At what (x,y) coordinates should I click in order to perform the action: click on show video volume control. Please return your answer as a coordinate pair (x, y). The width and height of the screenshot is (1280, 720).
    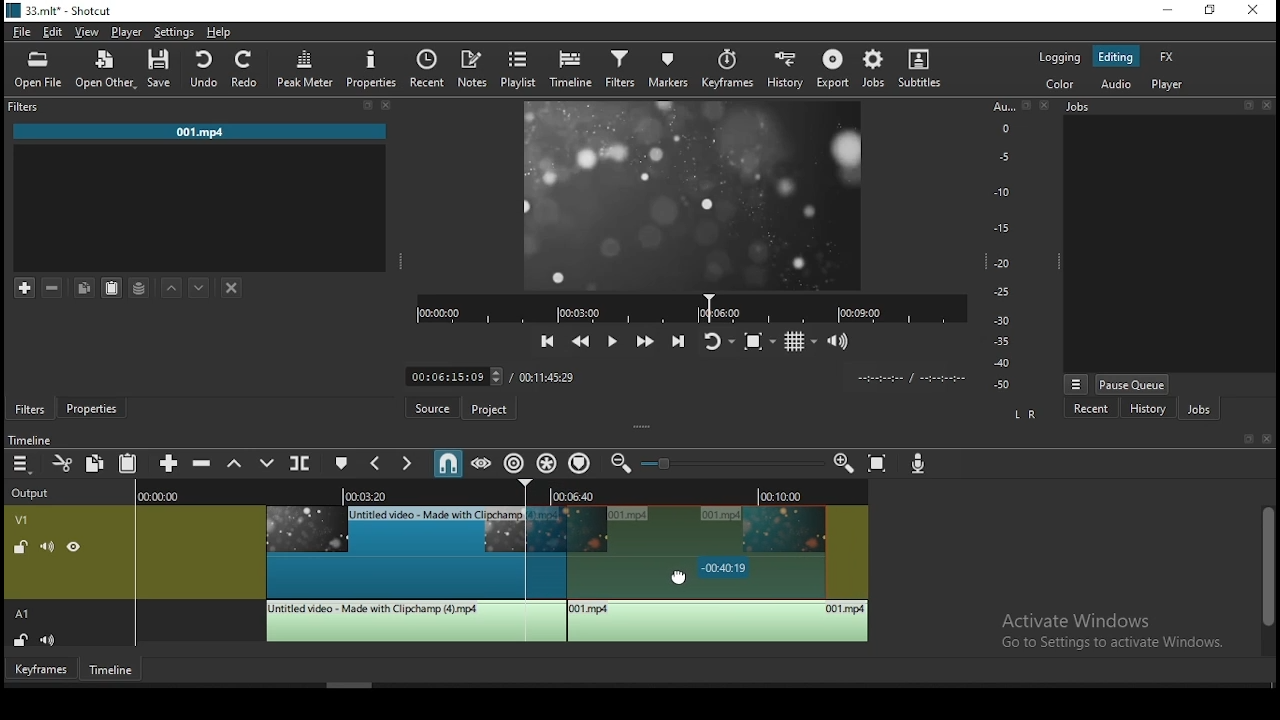
    Looking at the image, I should click on (839, 338).